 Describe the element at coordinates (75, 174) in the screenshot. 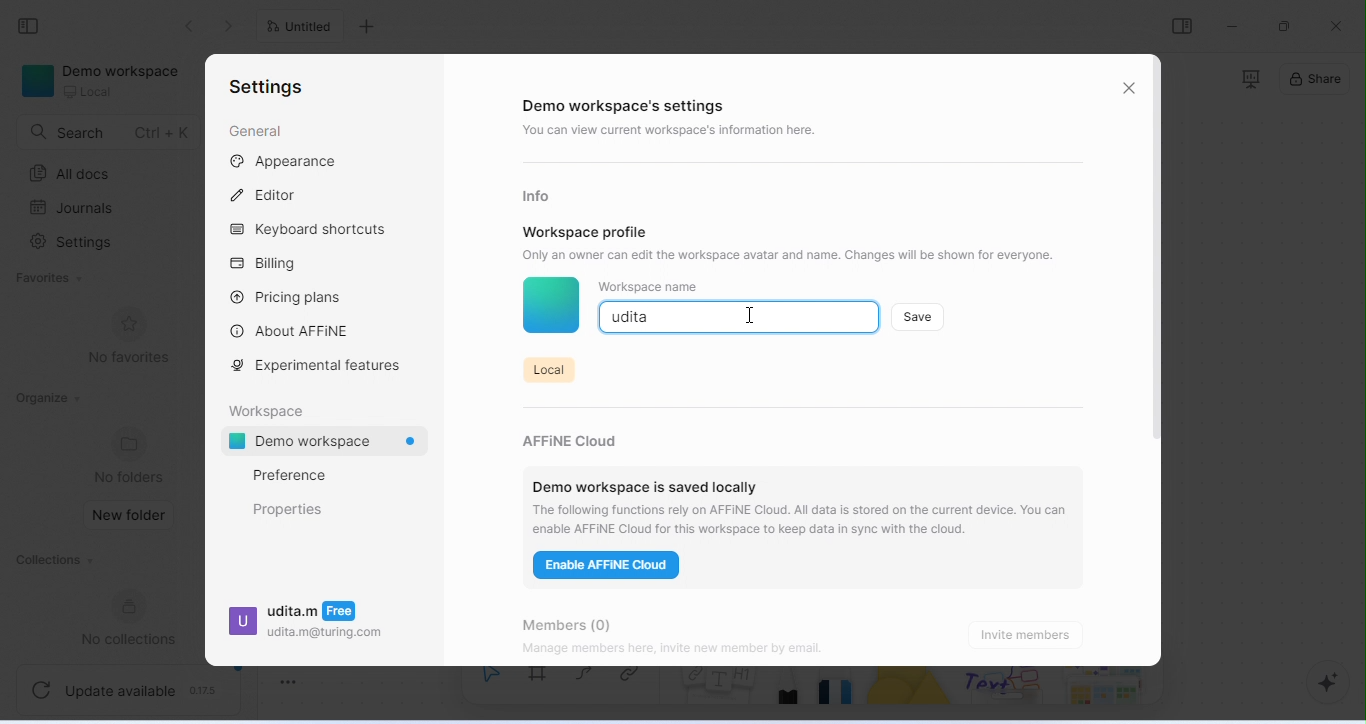

I see `all docs` at that location.